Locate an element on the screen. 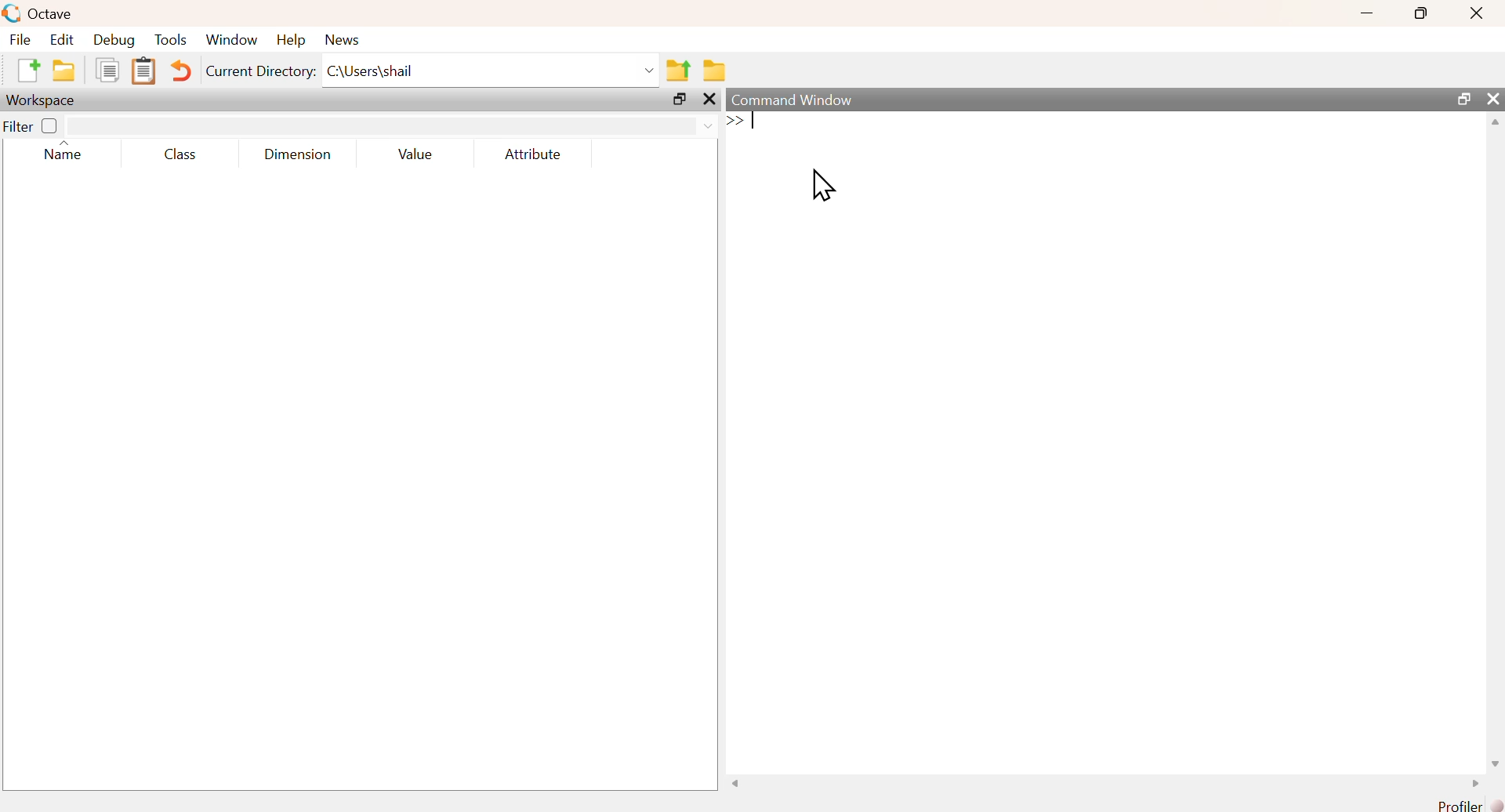 Image resolution: width=1505 pixels, height=812 pixels. Help is located at coordinates (292, 40).